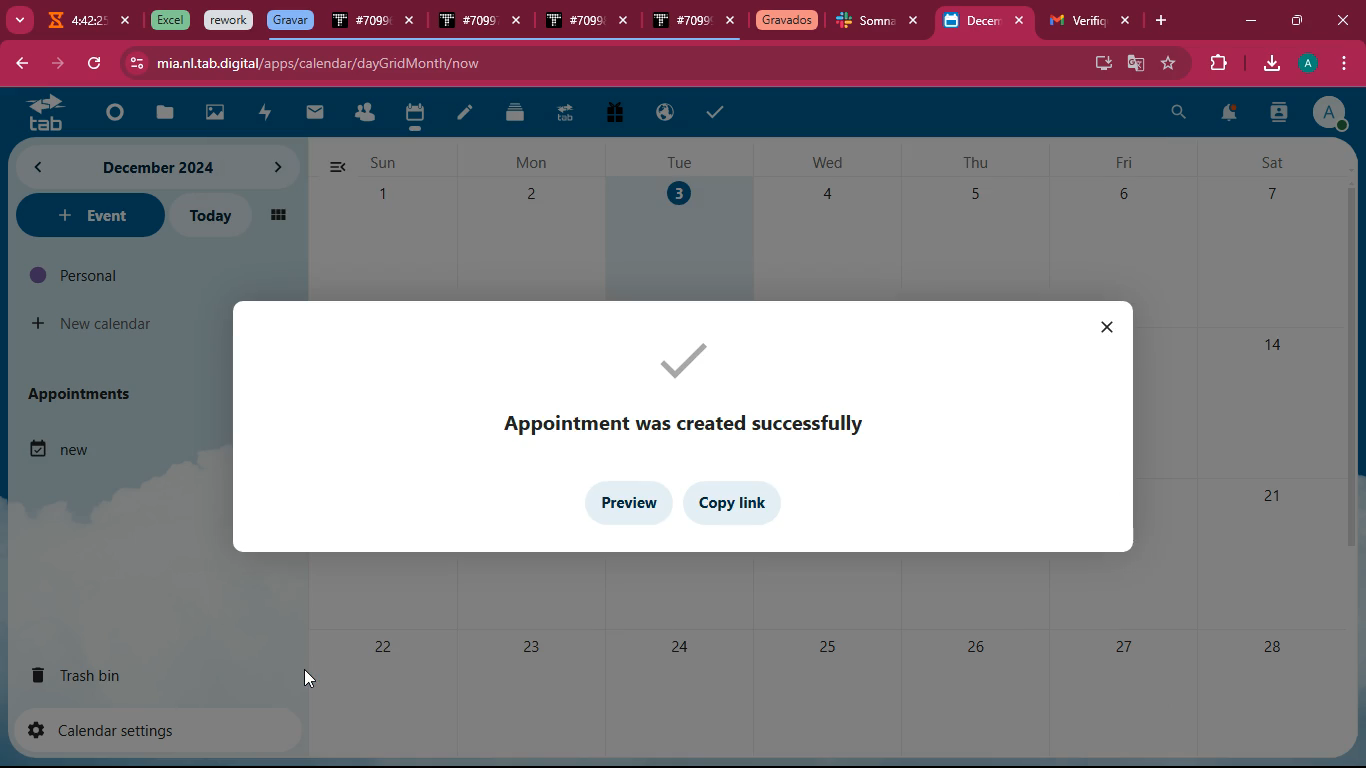 The image size is (1366, 768). Describe the element at coordinates (666, 113) in the screenshot. I see `public` at that location.